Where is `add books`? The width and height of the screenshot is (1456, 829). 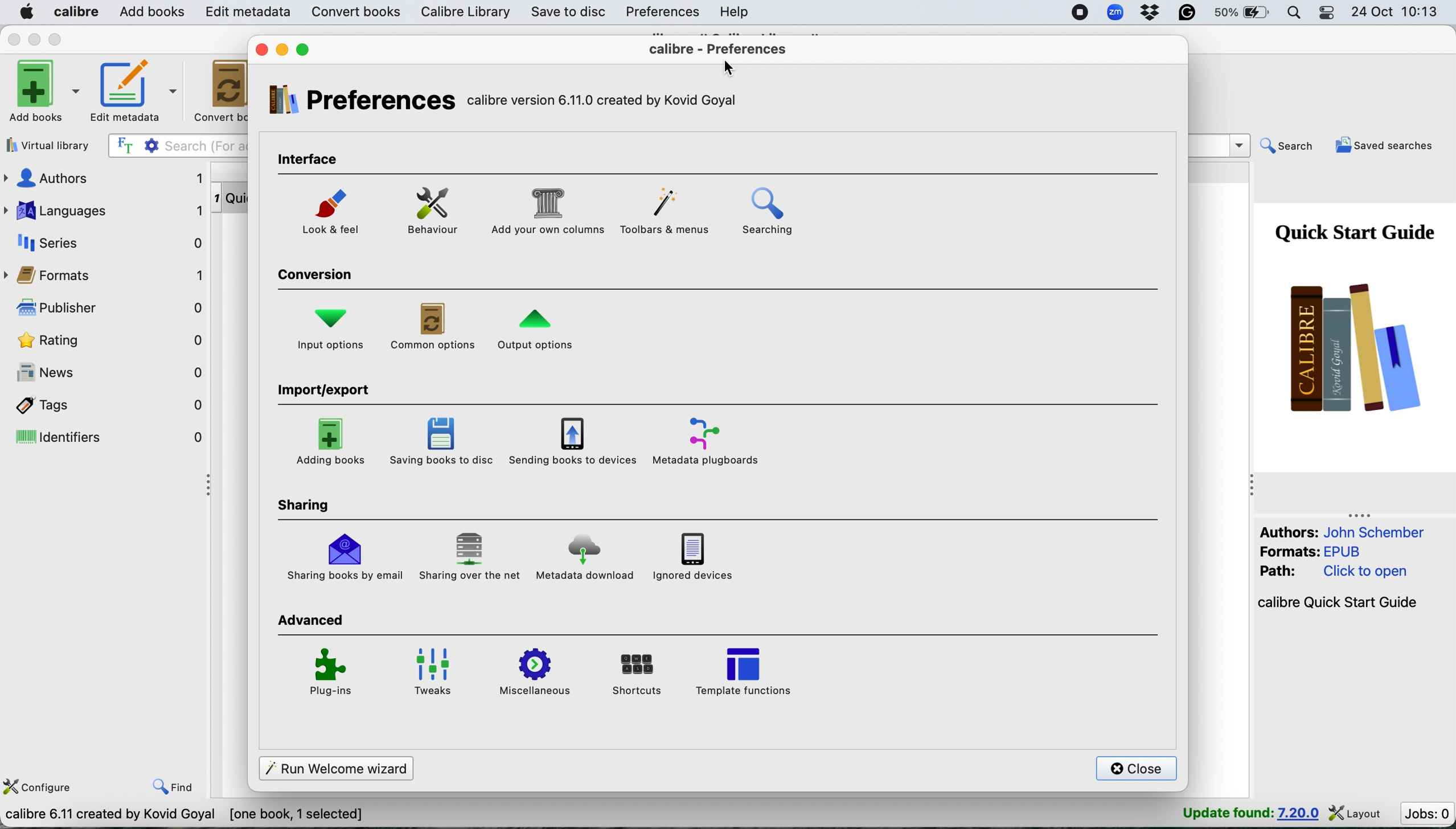 add books is located at coordinates (47, 91).